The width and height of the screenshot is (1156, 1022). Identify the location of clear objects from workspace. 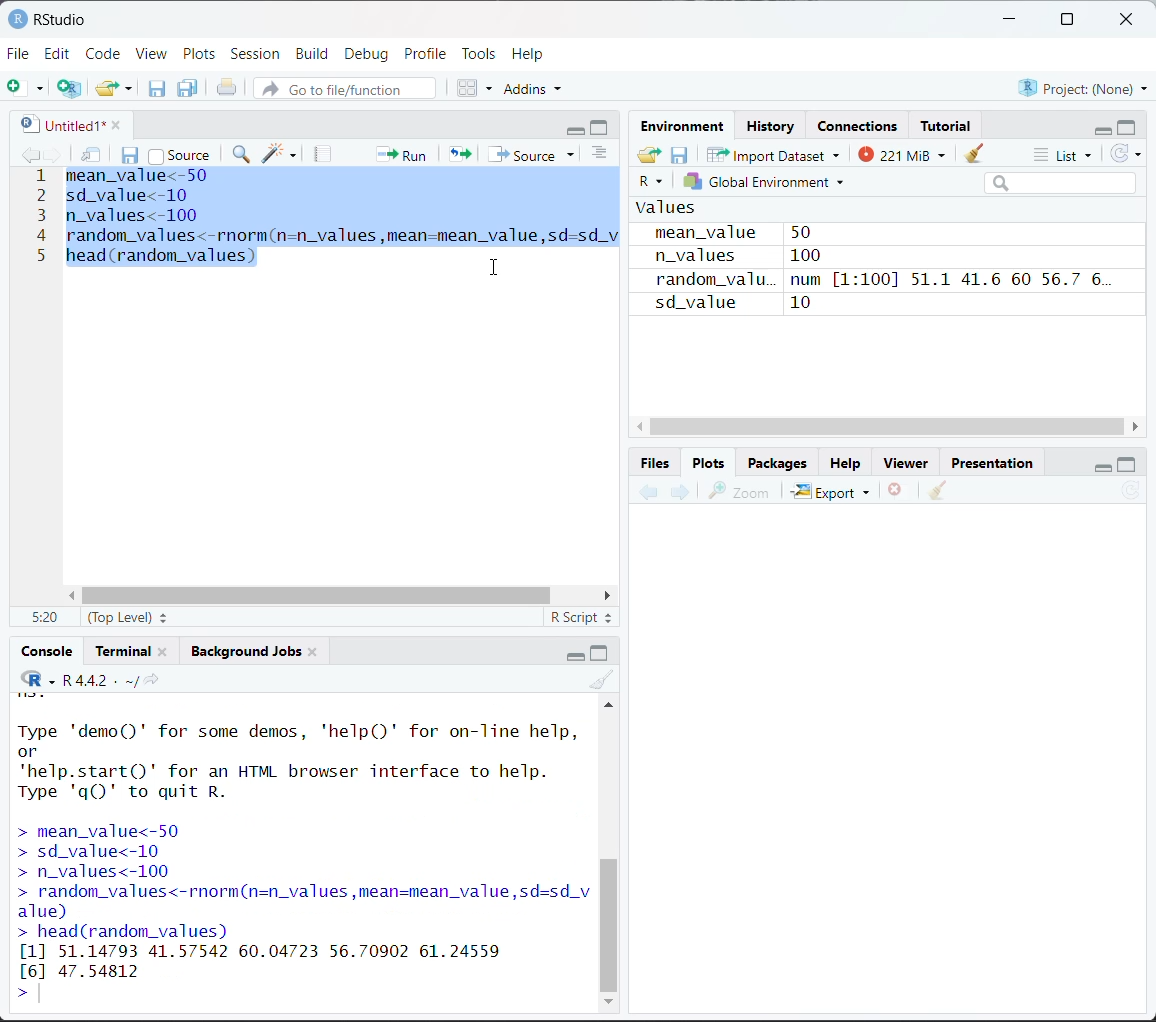
(969, 150).